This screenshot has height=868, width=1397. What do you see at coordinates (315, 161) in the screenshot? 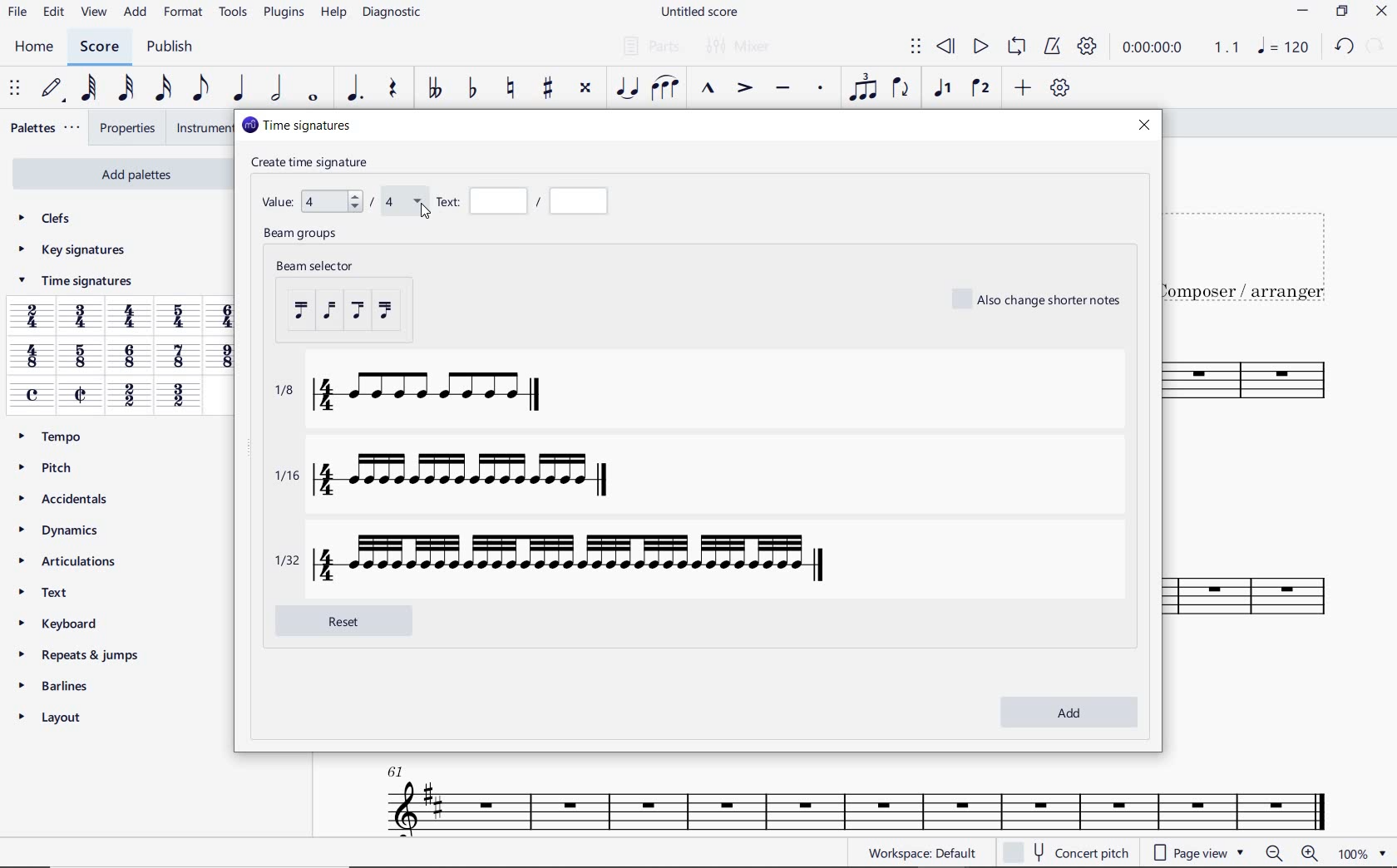
I see `create time signature` at bounding box center [315, 161].